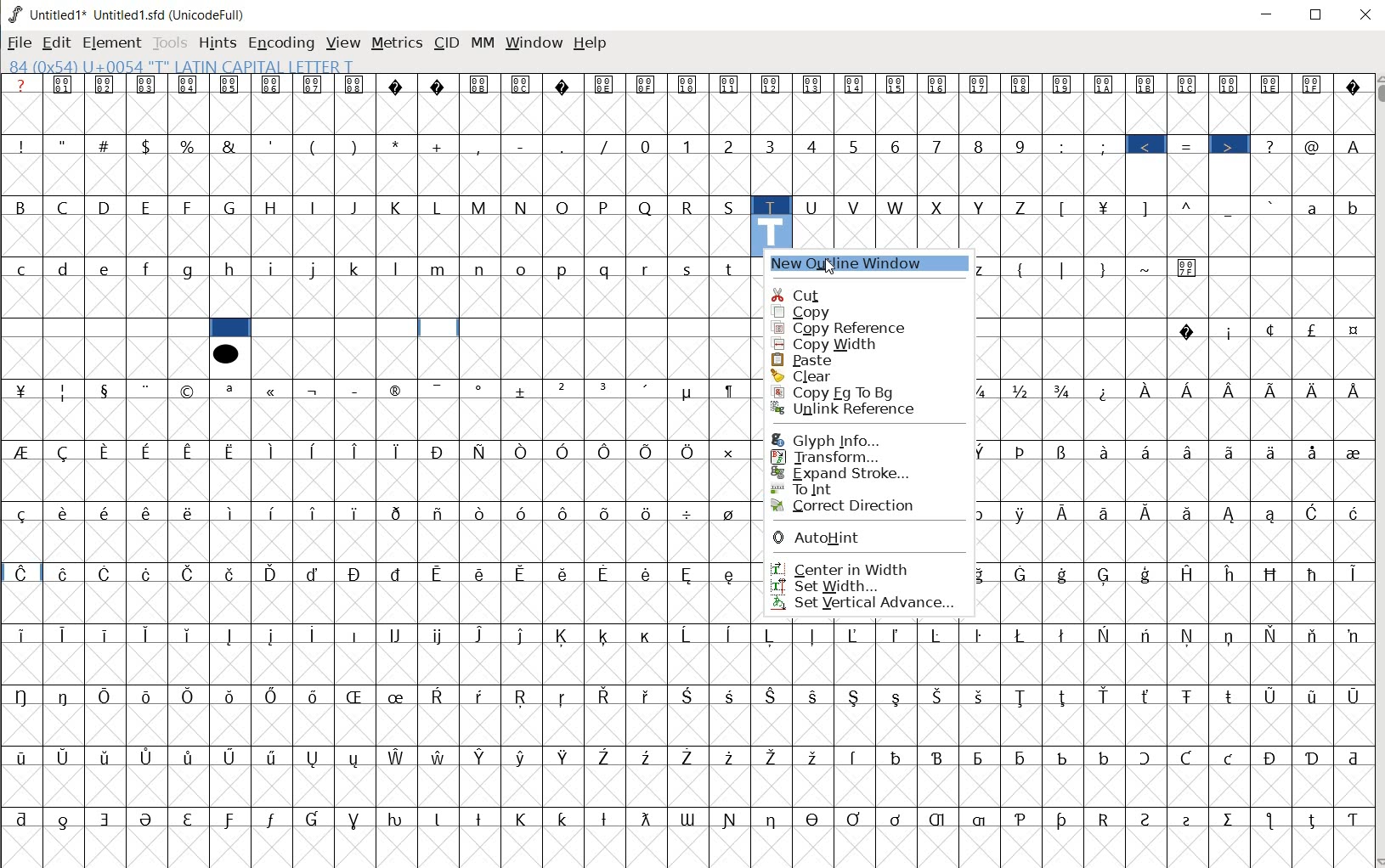 The height and width of the screenshot is (868, 1385). I want to click on Symbol, so click(607, 452).